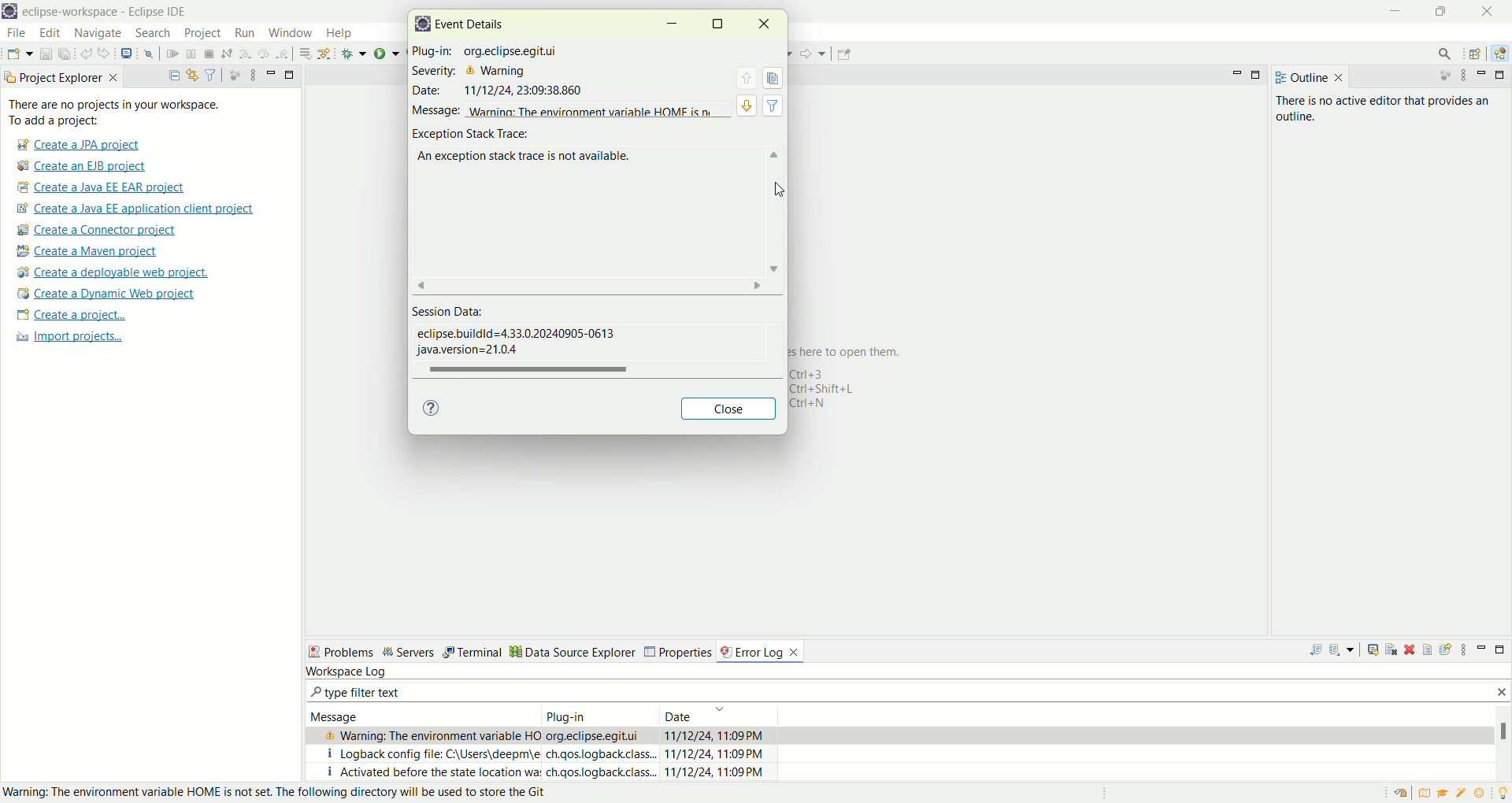 Image resolution: width=1512 pixels, height=803 pixels. I want to click on minimize, so click(664, 22).